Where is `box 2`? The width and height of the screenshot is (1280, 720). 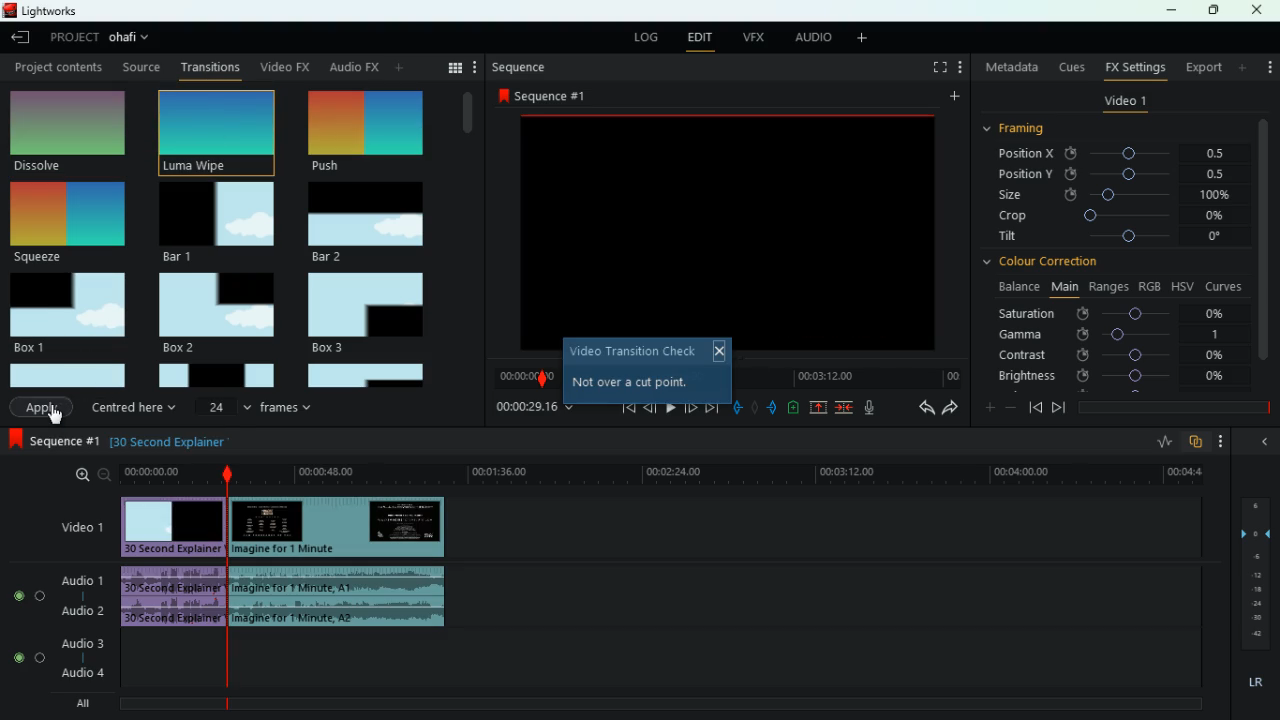
box 2 is located at coordinates (216, 313).